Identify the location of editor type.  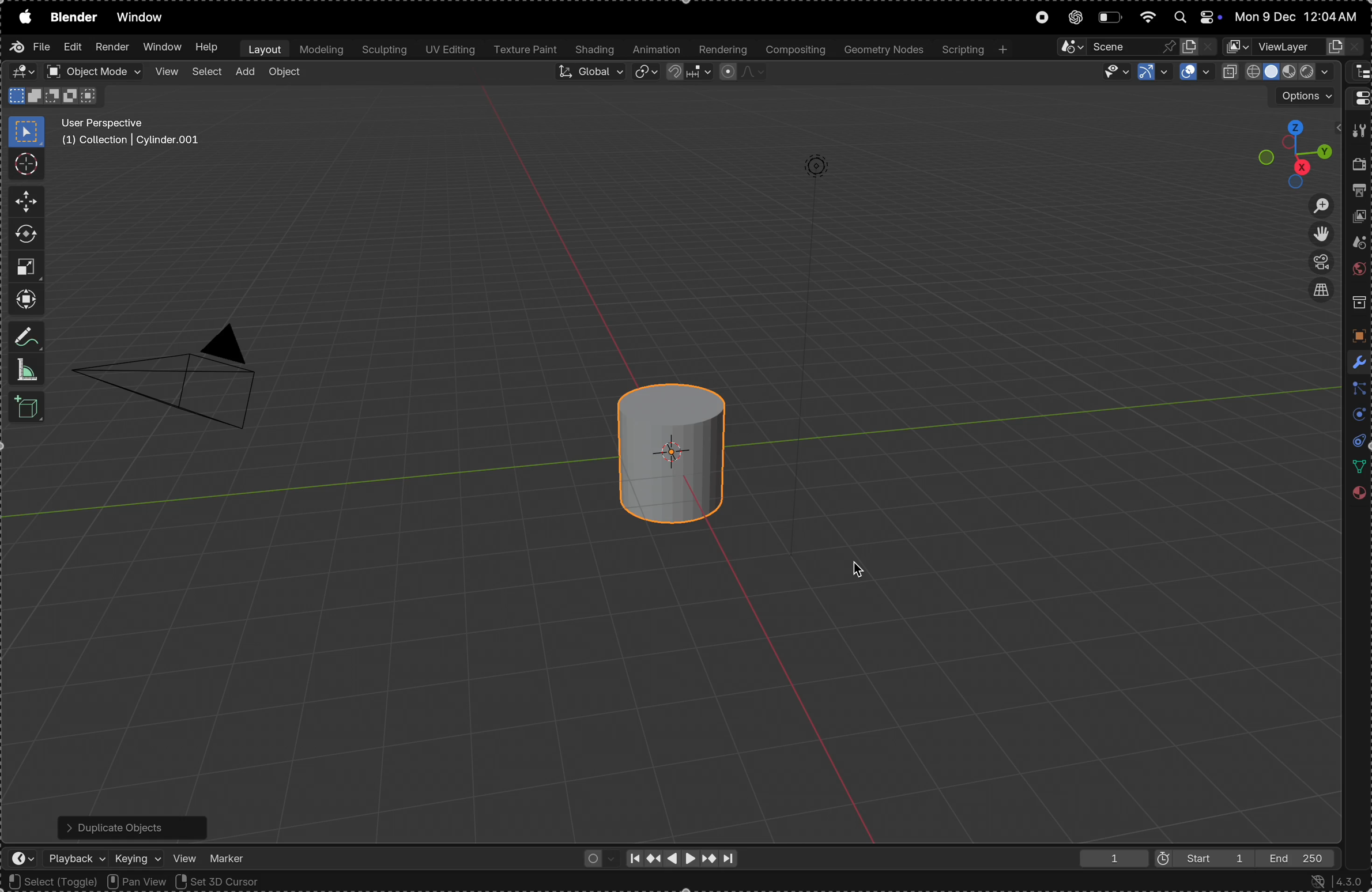
(22, 71).